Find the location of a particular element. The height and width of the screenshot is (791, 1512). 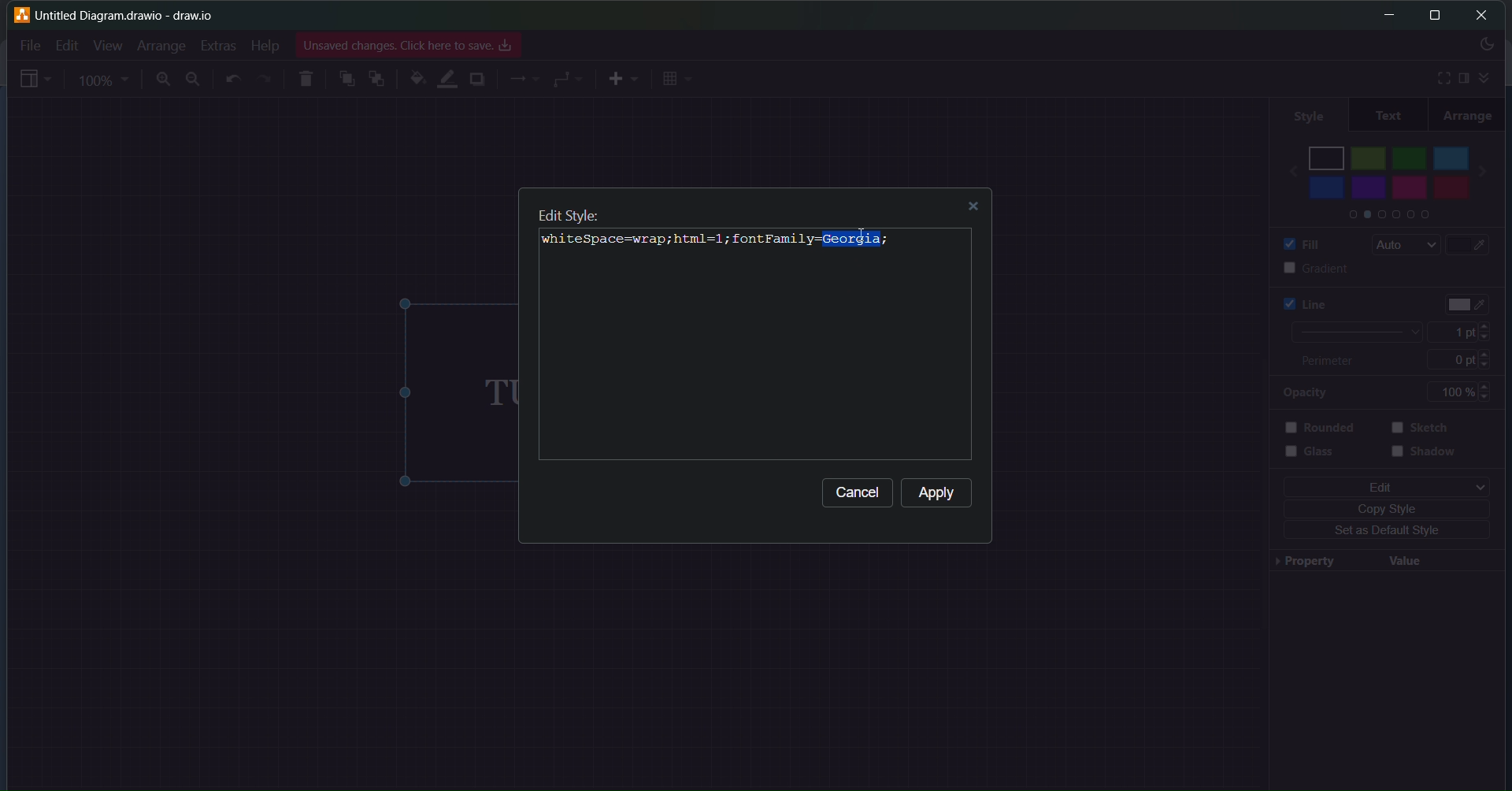

property is located at coordinates (1302, 563).